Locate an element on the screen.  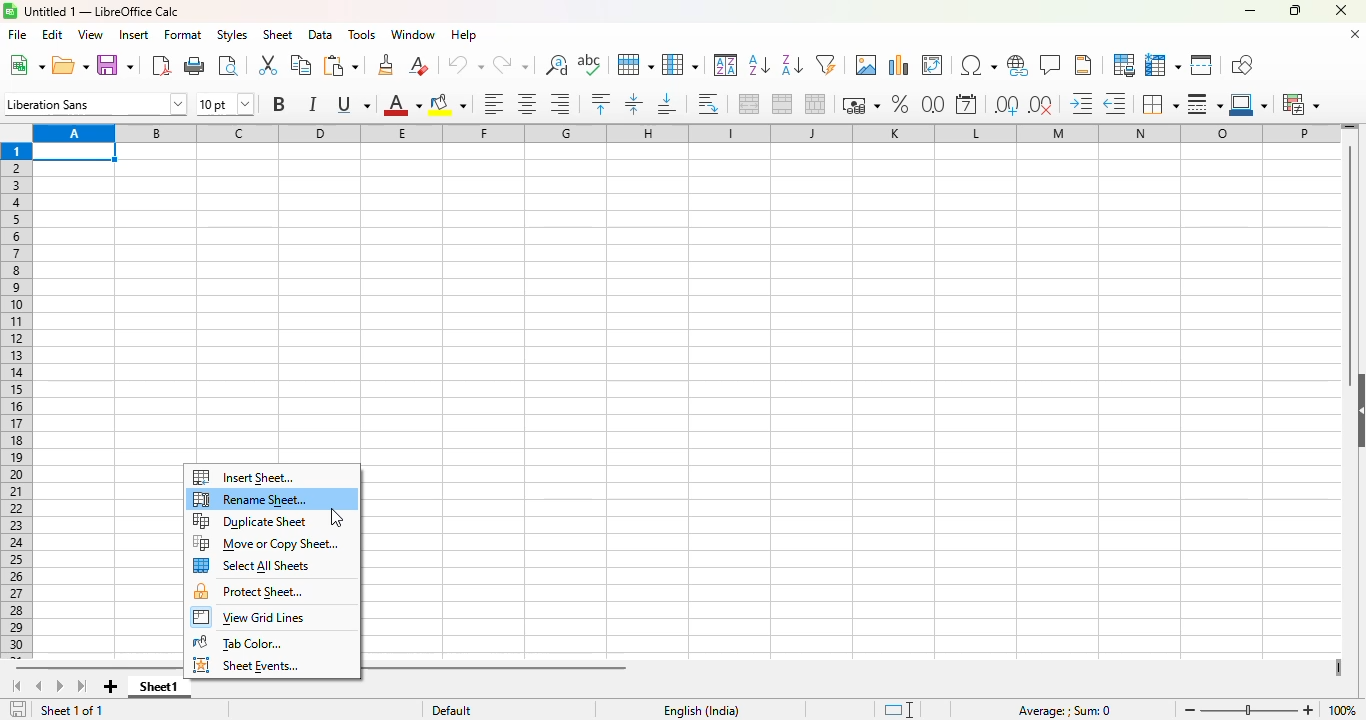
move or copy sheet is located at coordinates (266, 544).